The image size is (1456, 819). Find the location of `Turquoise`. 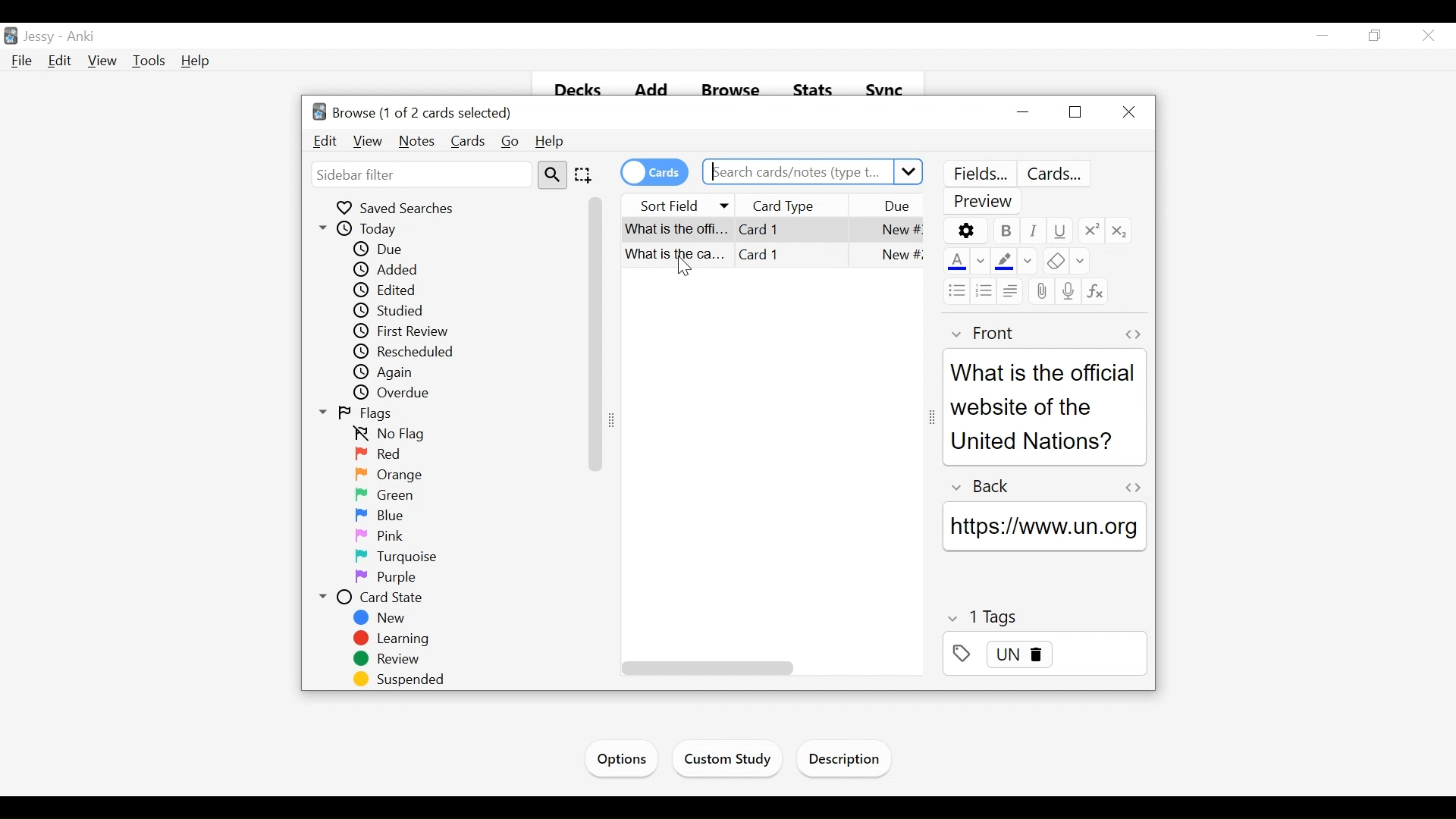

Turquoise is located at coordinates (403, 557).